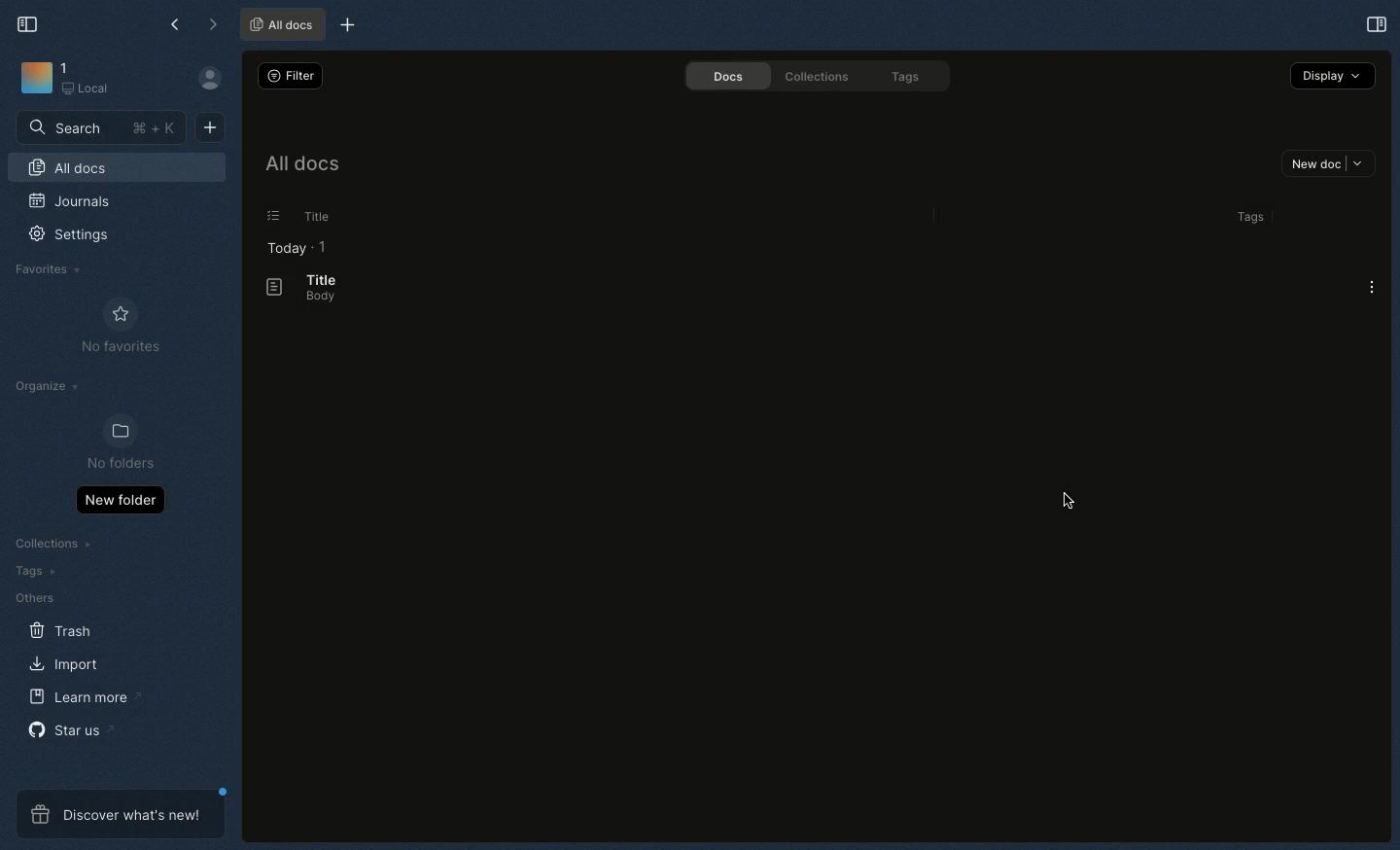 The height and width of the screenshot is (850, 1400). What do you see at coordinates (50, 389) in the screenshot?
I see `Organize` at bounding box center [50, 389].